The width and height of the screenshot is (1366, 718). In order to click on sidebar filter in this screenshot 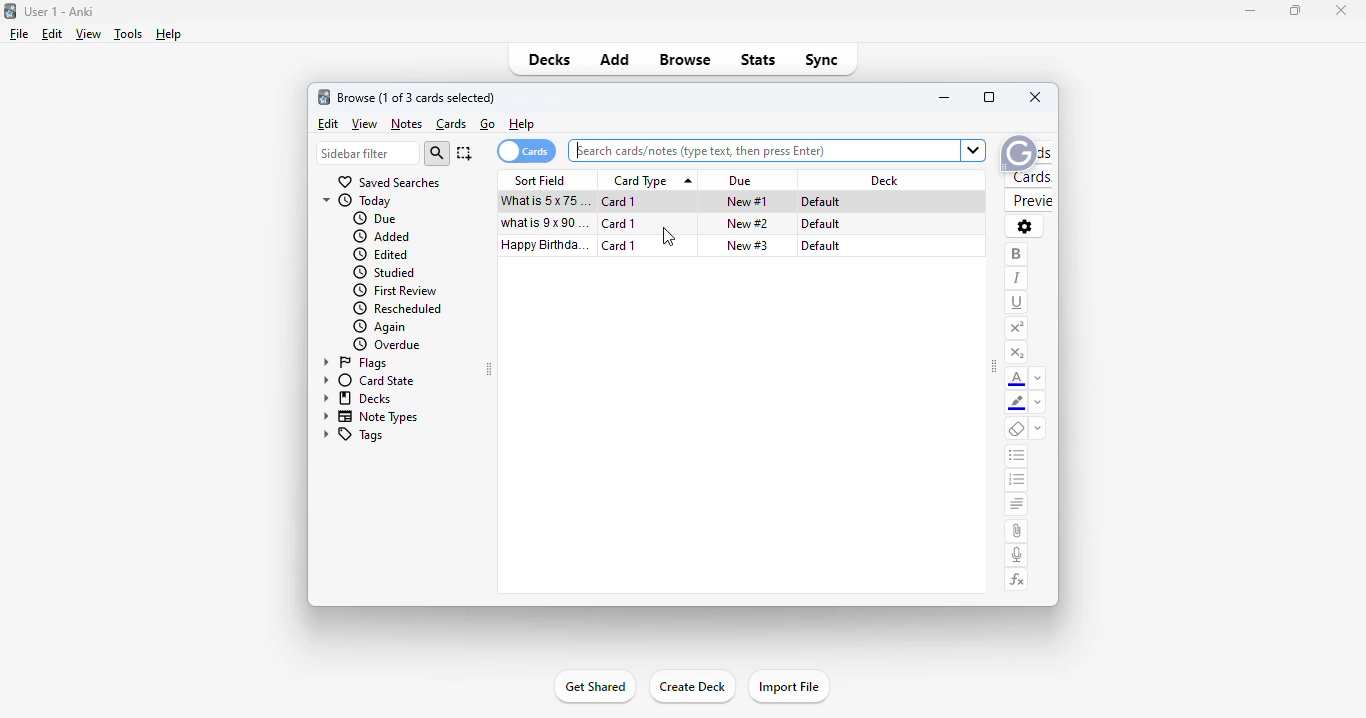, I will do `click(369, 153)`.